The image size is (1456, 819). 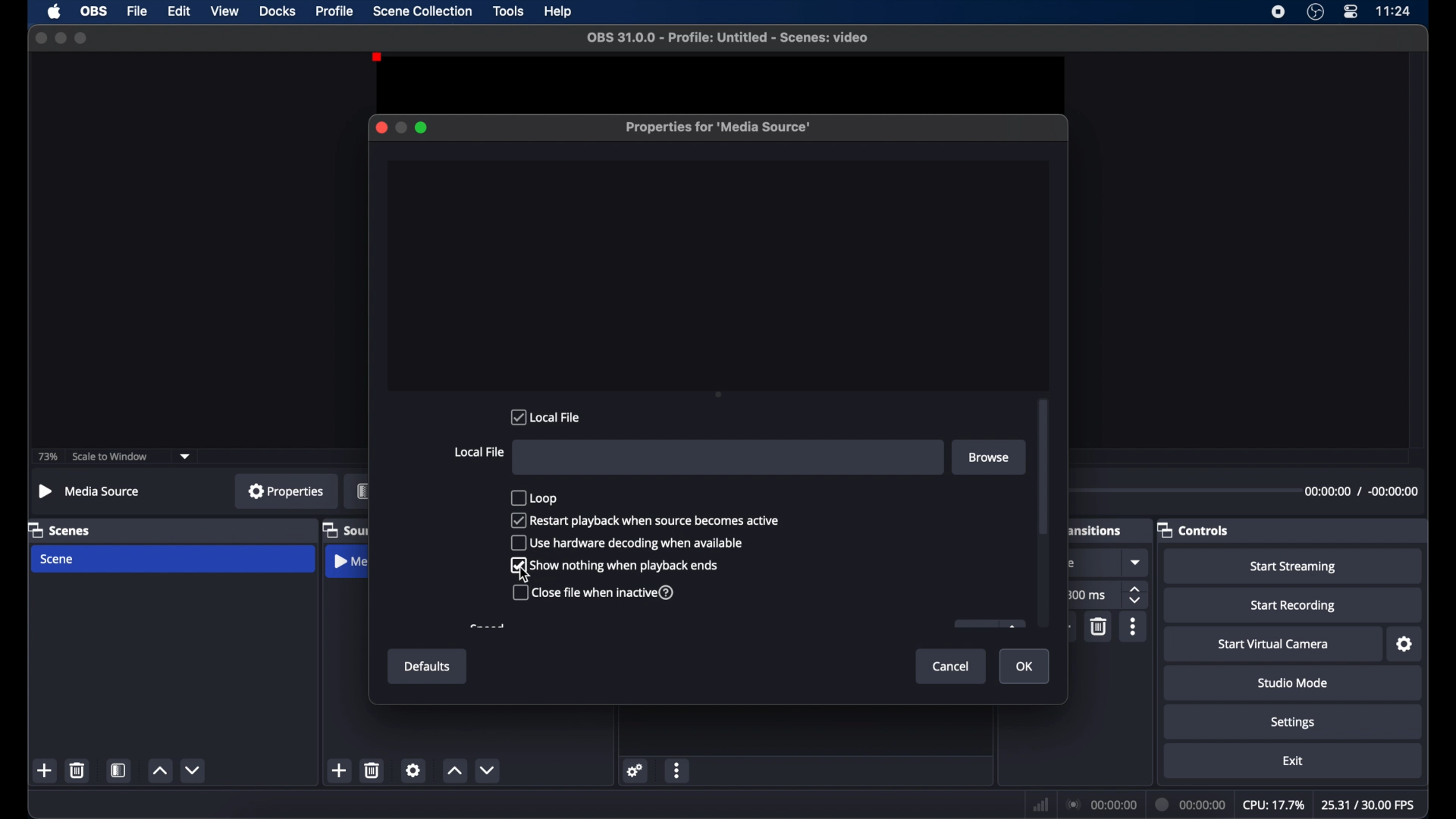 What do you see at coordinates (595, 593) in the screenshot?
I see `close file when inactive` at bounding box center [595, 593].